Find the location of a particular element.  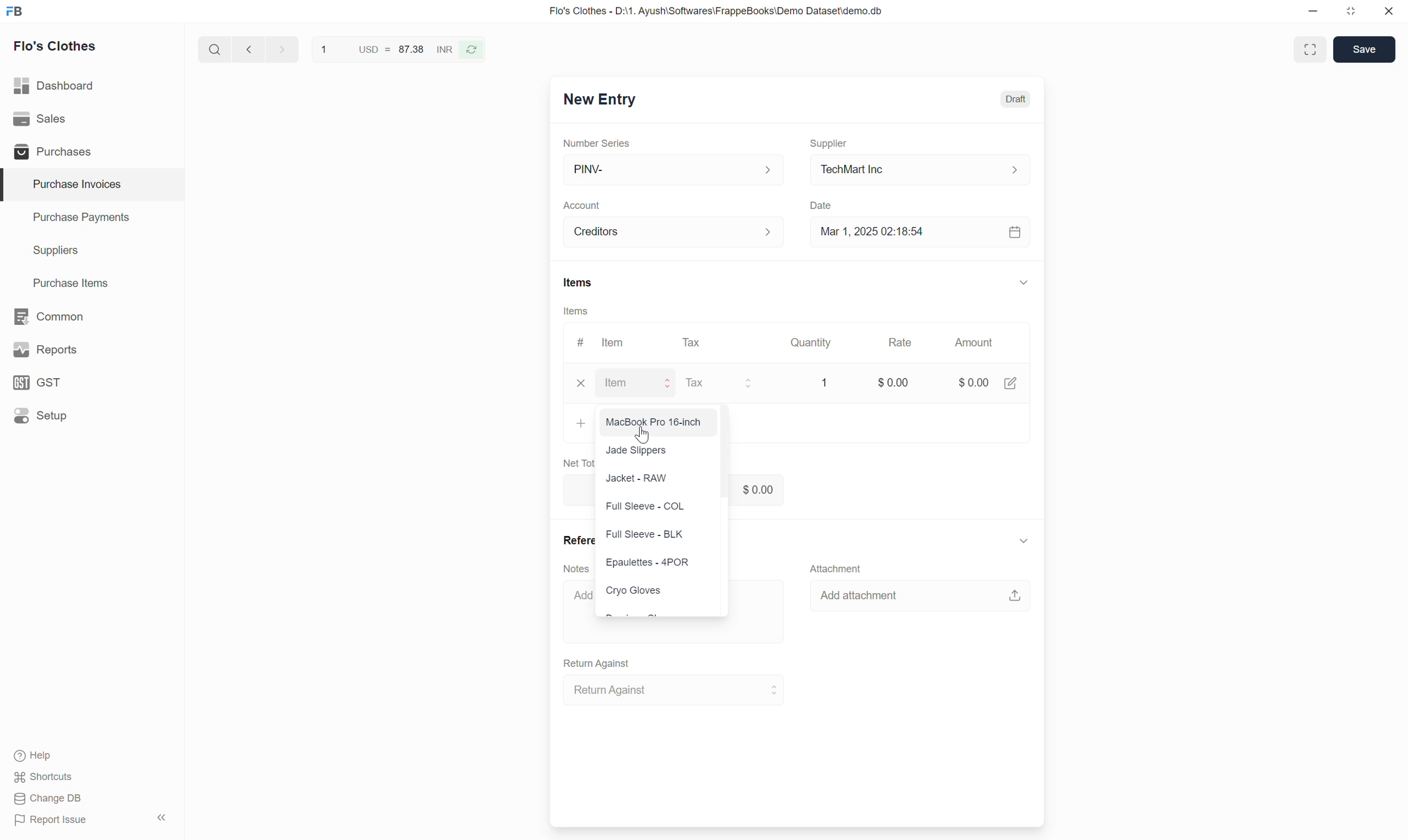

Purchase Payments is located at coordinates (92, 218).